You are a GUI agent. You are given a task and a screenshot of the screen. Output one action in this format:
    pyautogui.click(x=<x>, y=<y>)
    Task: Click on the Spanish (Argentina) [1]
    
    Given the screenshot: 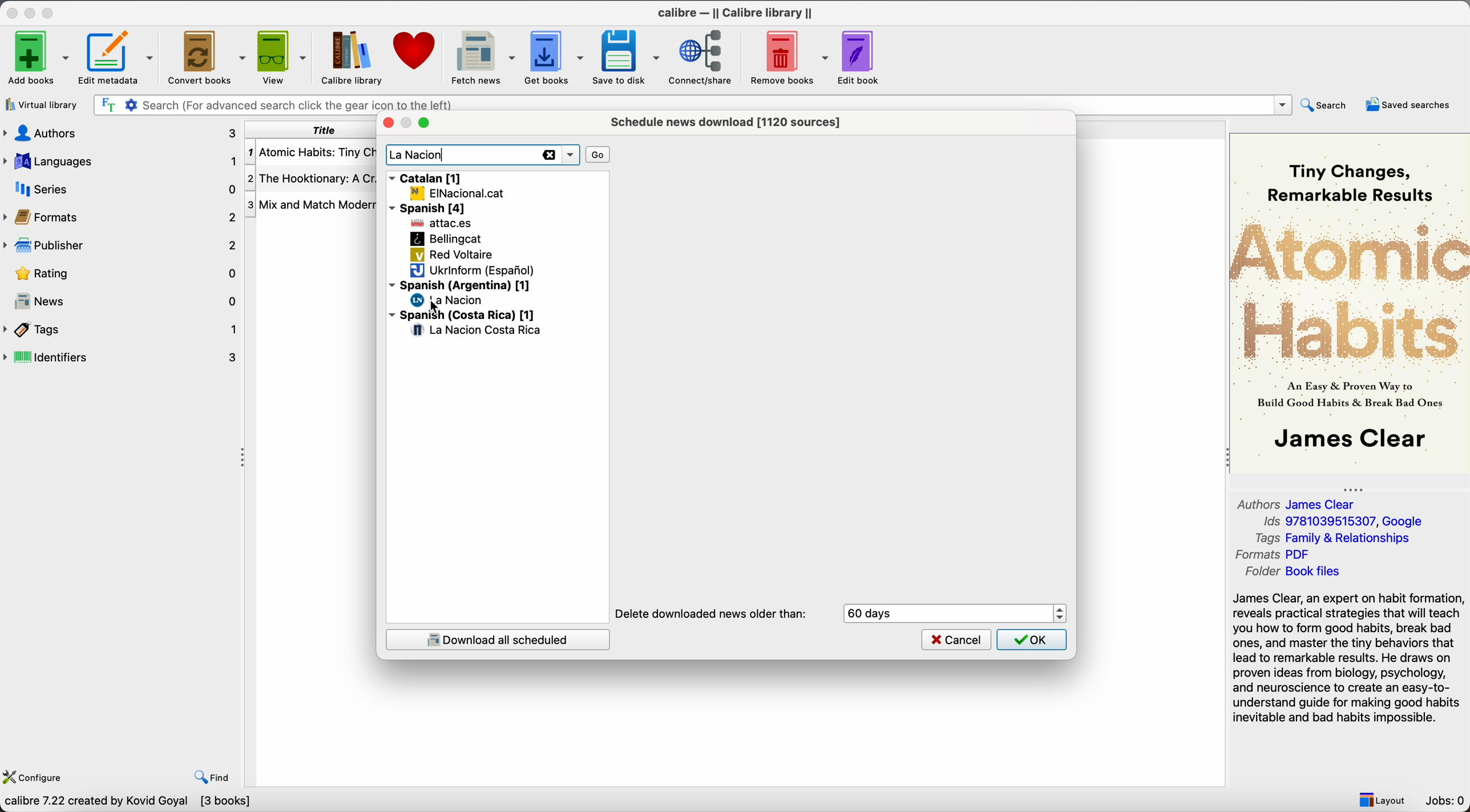 What is the action you would take?
    pyautogui.click(x=459, y=284)
    